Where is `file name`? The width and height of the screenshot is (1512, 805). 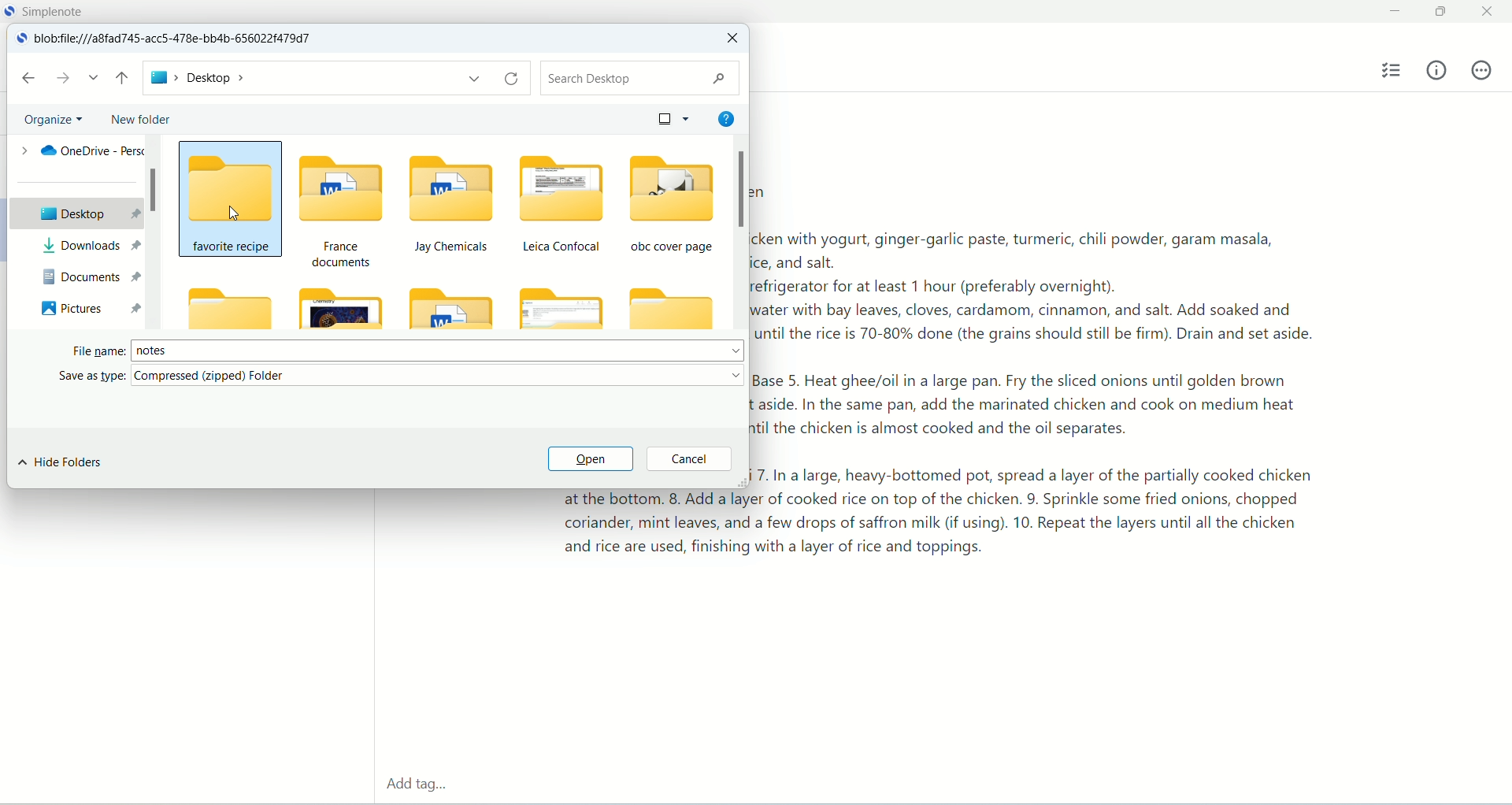
file name is located at coordinates (408, 348).